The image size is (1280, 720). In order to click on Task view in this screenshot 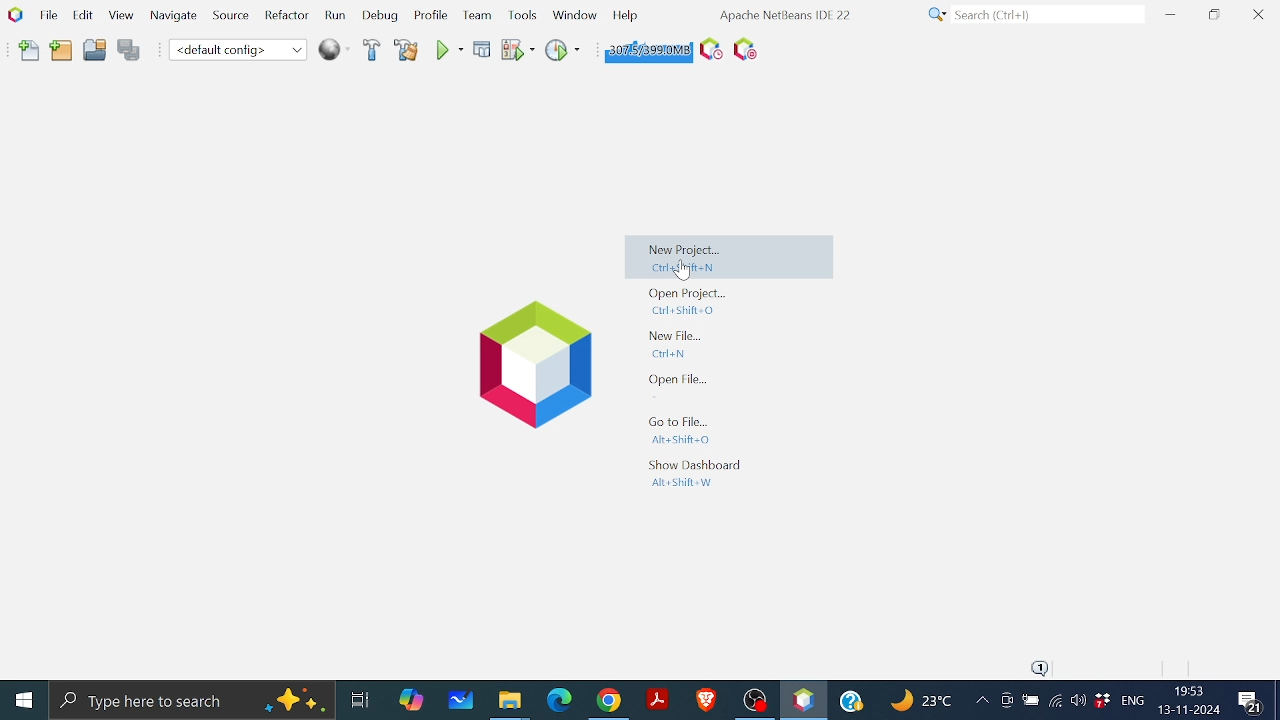, I will do `click(359, 697)`.